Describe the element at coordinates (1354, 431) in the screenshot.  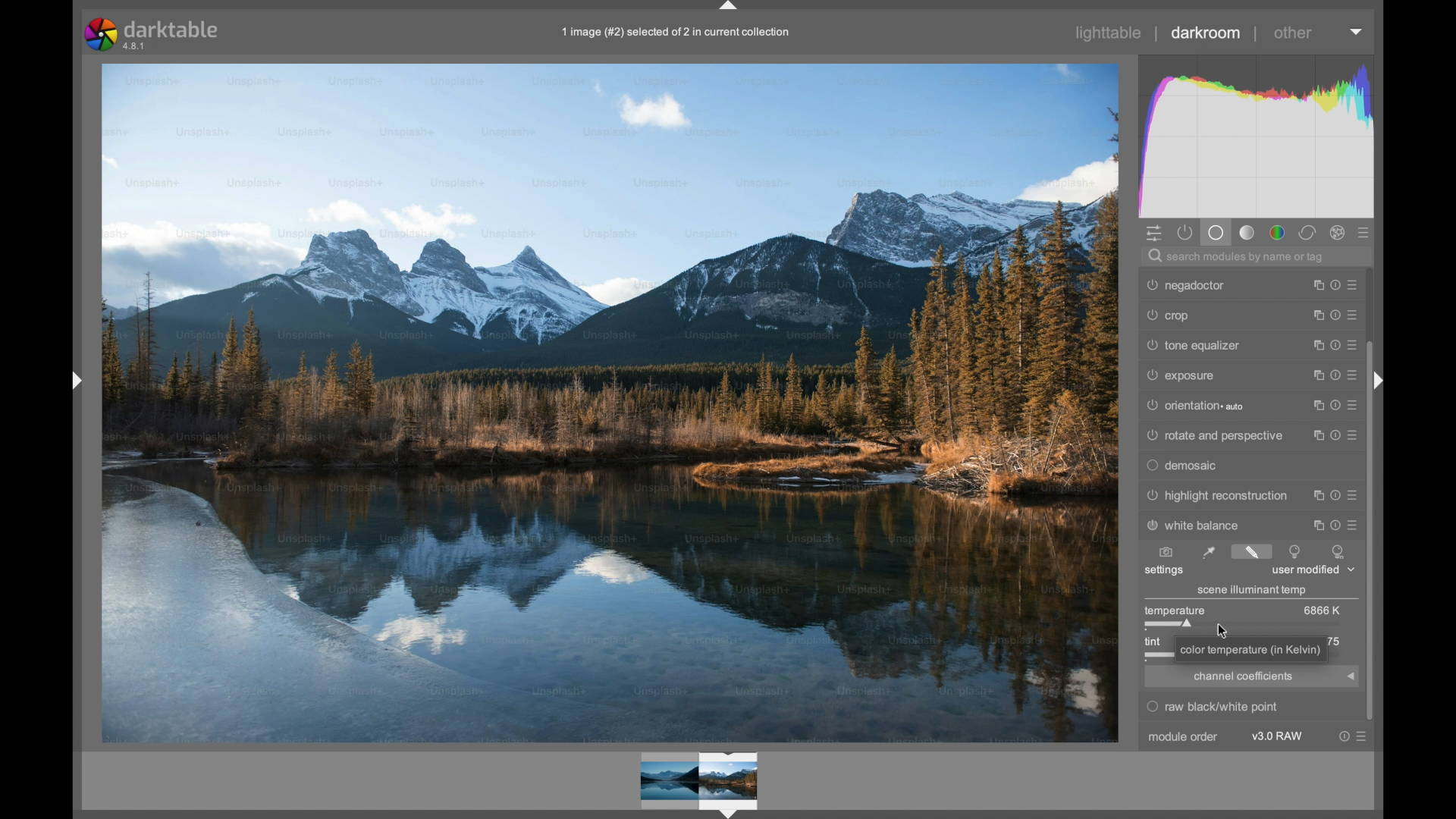
I see `presets` at that location.